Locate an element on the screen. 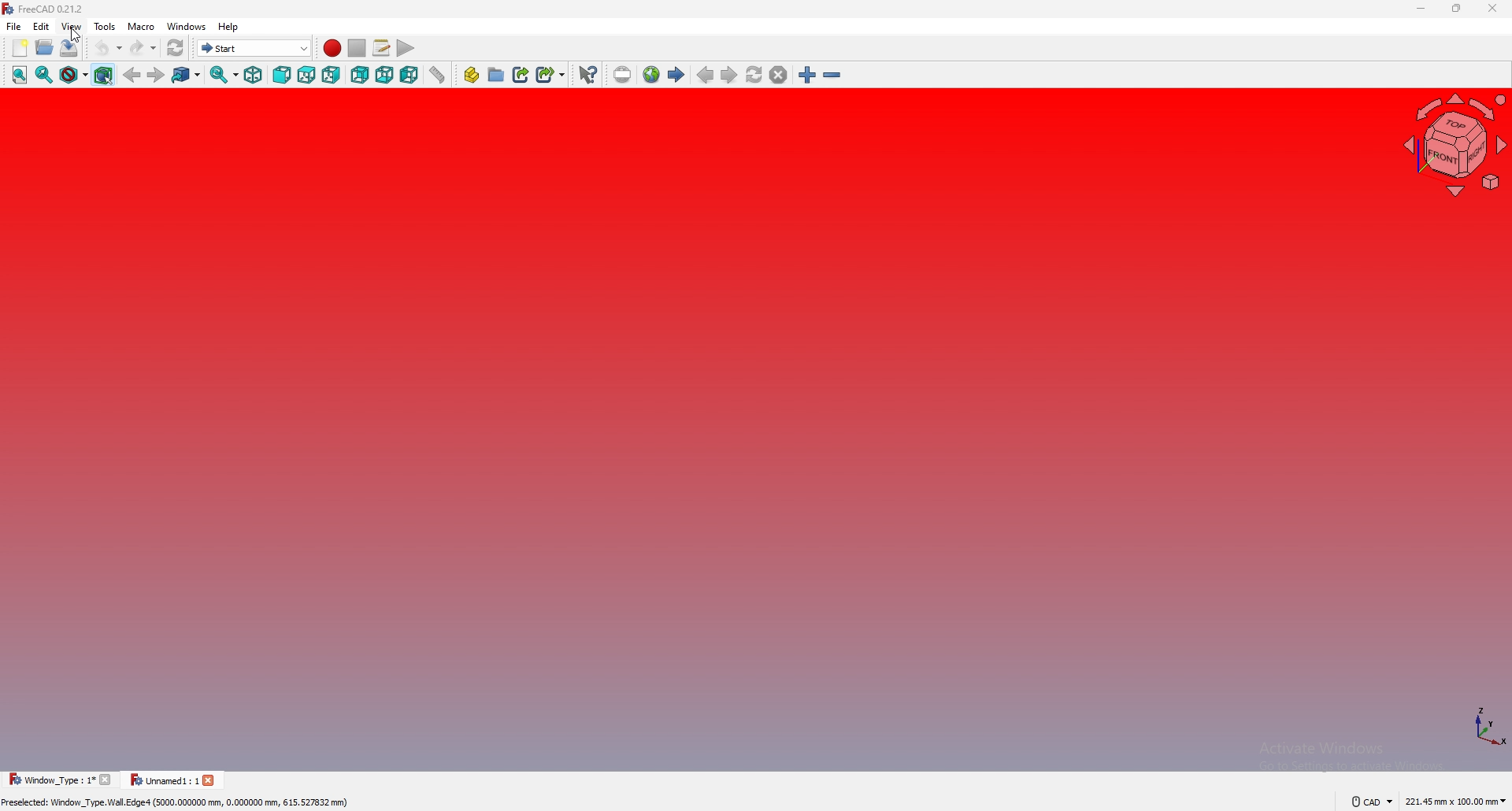  right is located at coordinates (332, 76).